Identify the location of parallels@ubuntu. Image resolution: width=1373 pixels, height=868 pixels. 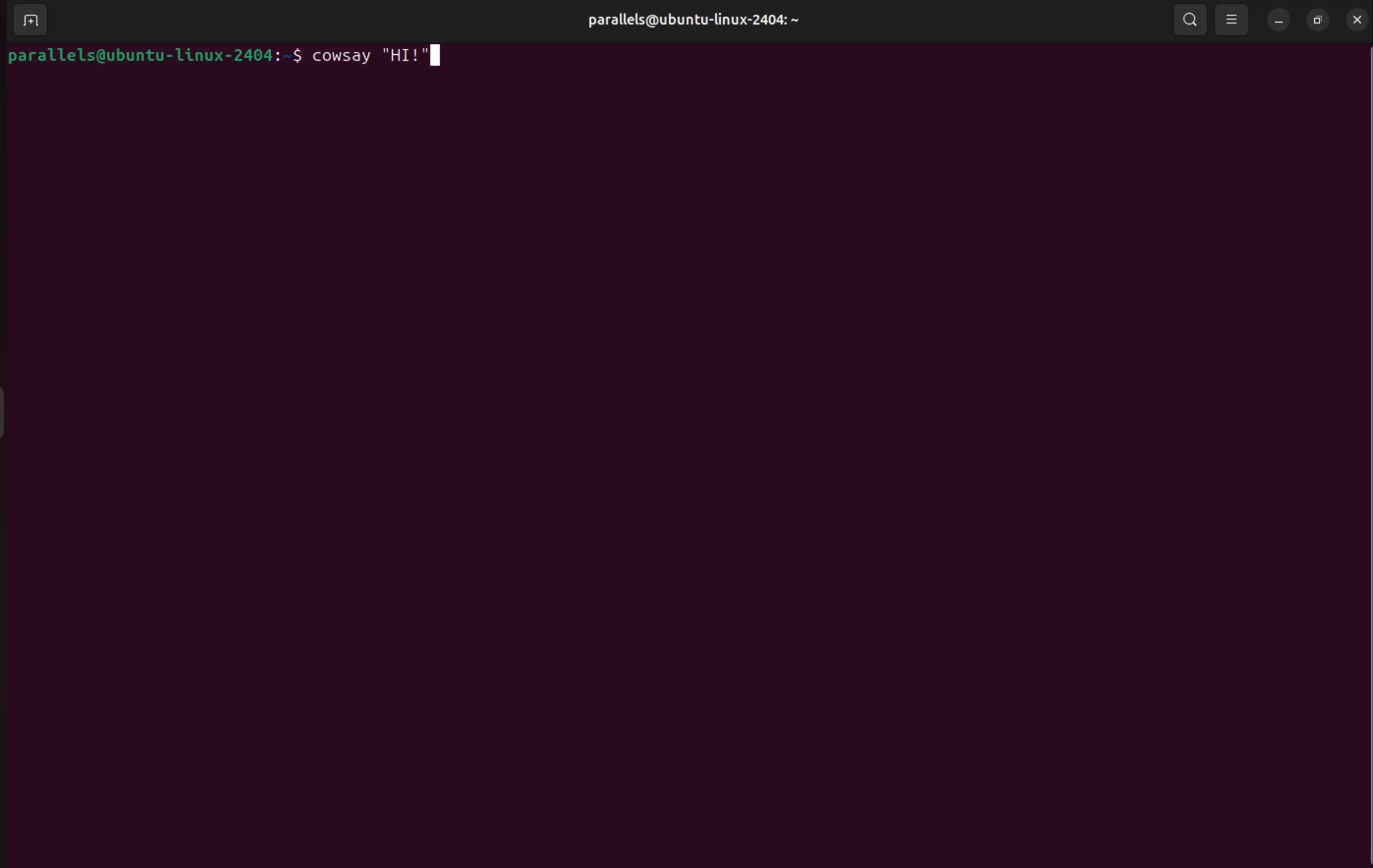
(686, 23).